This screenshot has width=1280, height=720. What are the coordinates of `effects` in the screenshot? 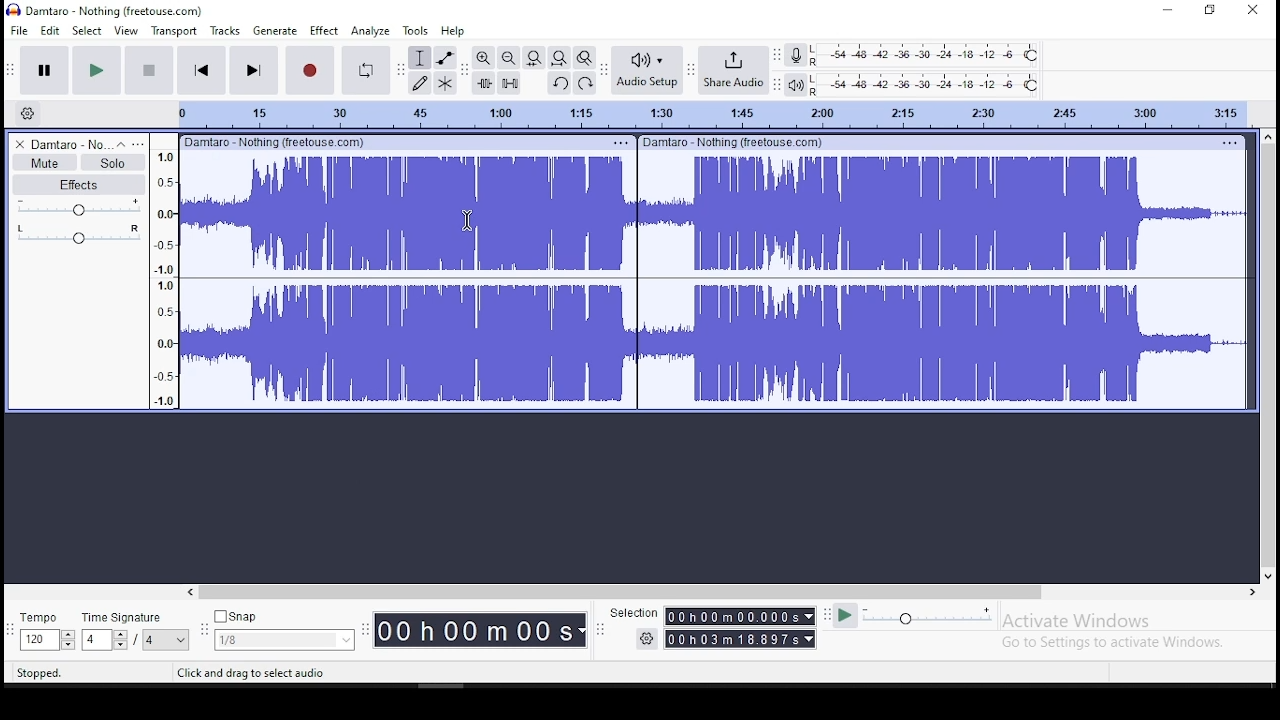 It's located at (78, 185).